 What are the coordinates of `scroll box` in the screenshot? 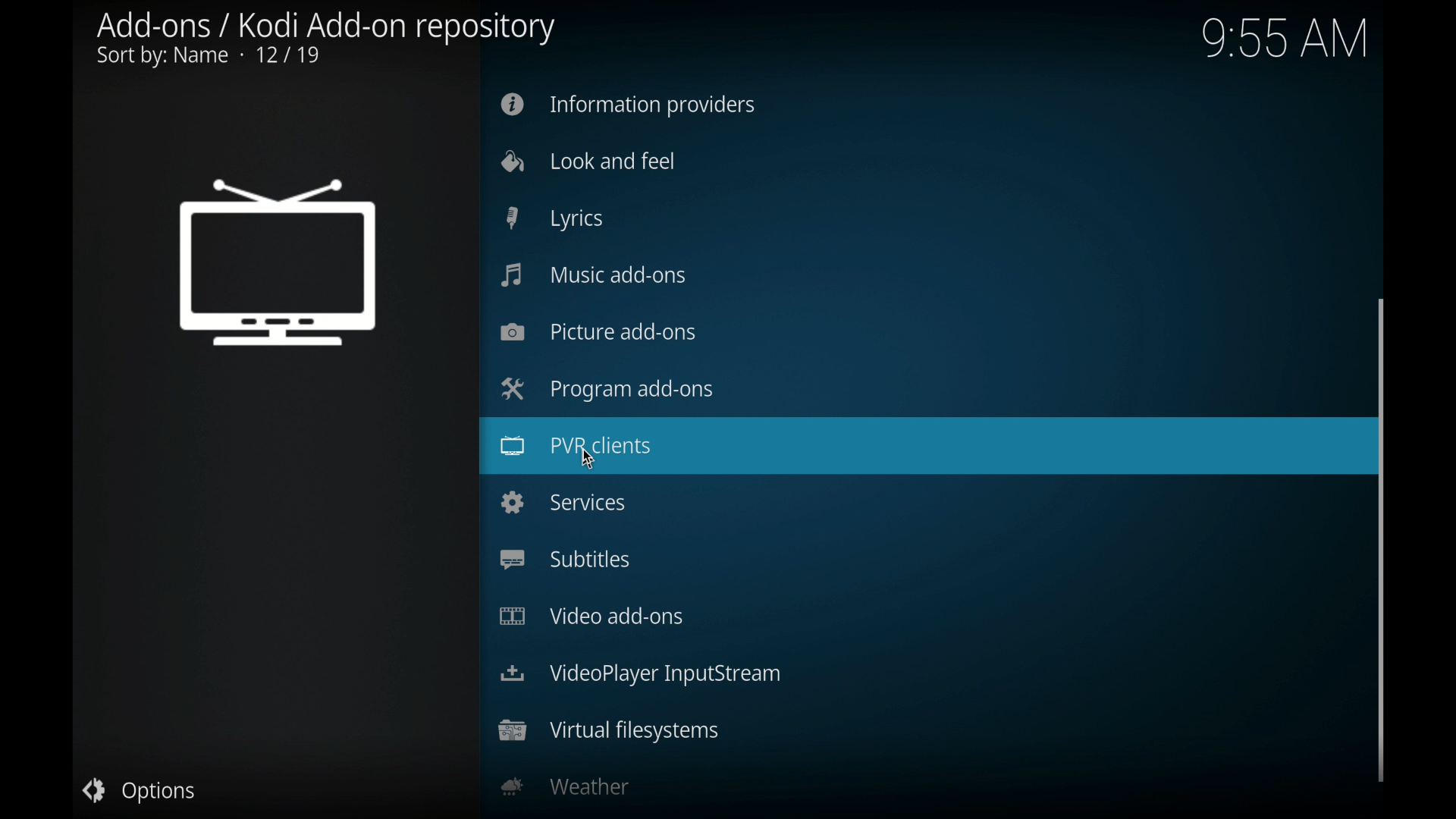 It's located at (1382, 539).